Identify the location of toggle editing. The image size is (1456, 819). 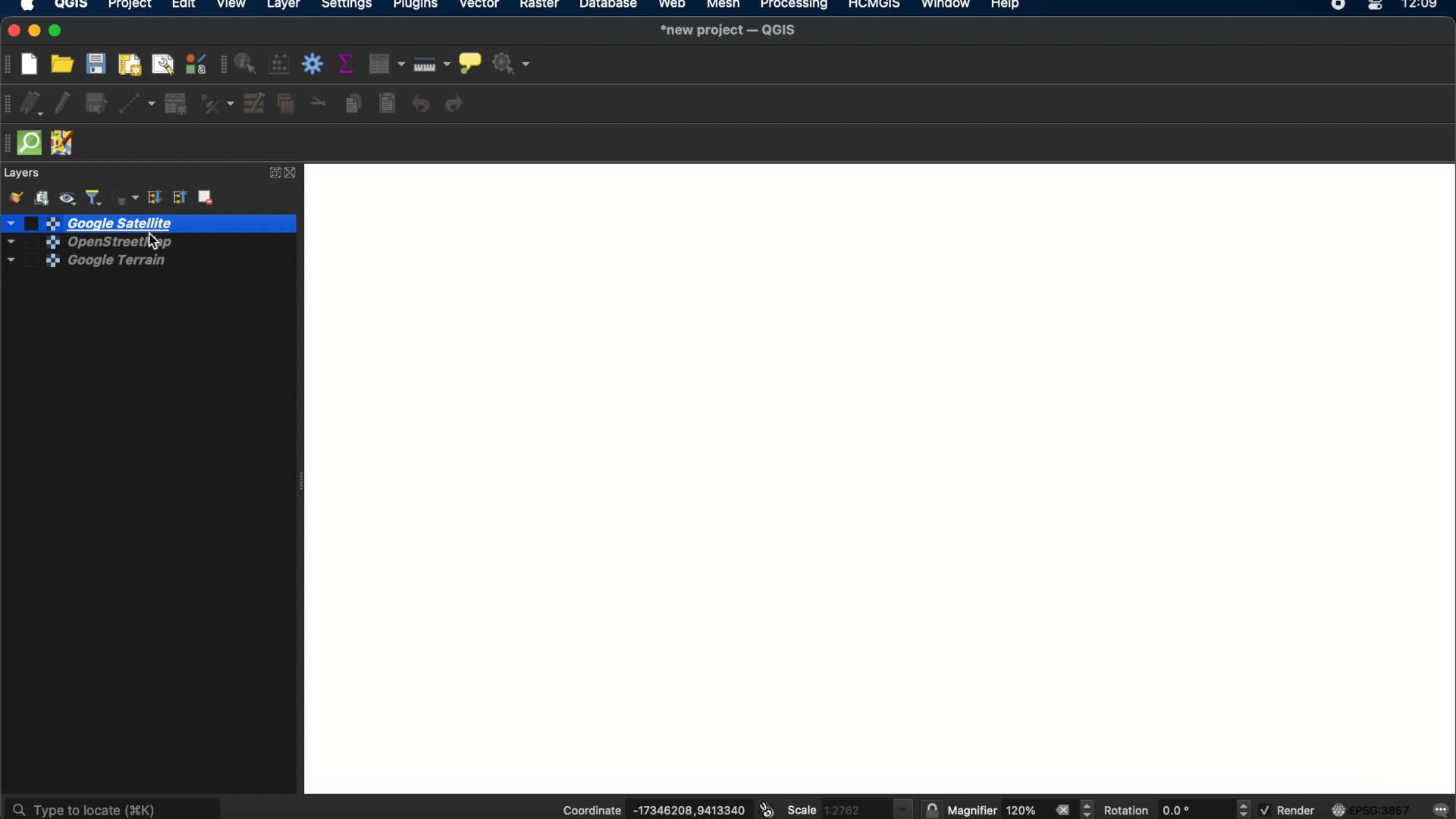
(63, 105).